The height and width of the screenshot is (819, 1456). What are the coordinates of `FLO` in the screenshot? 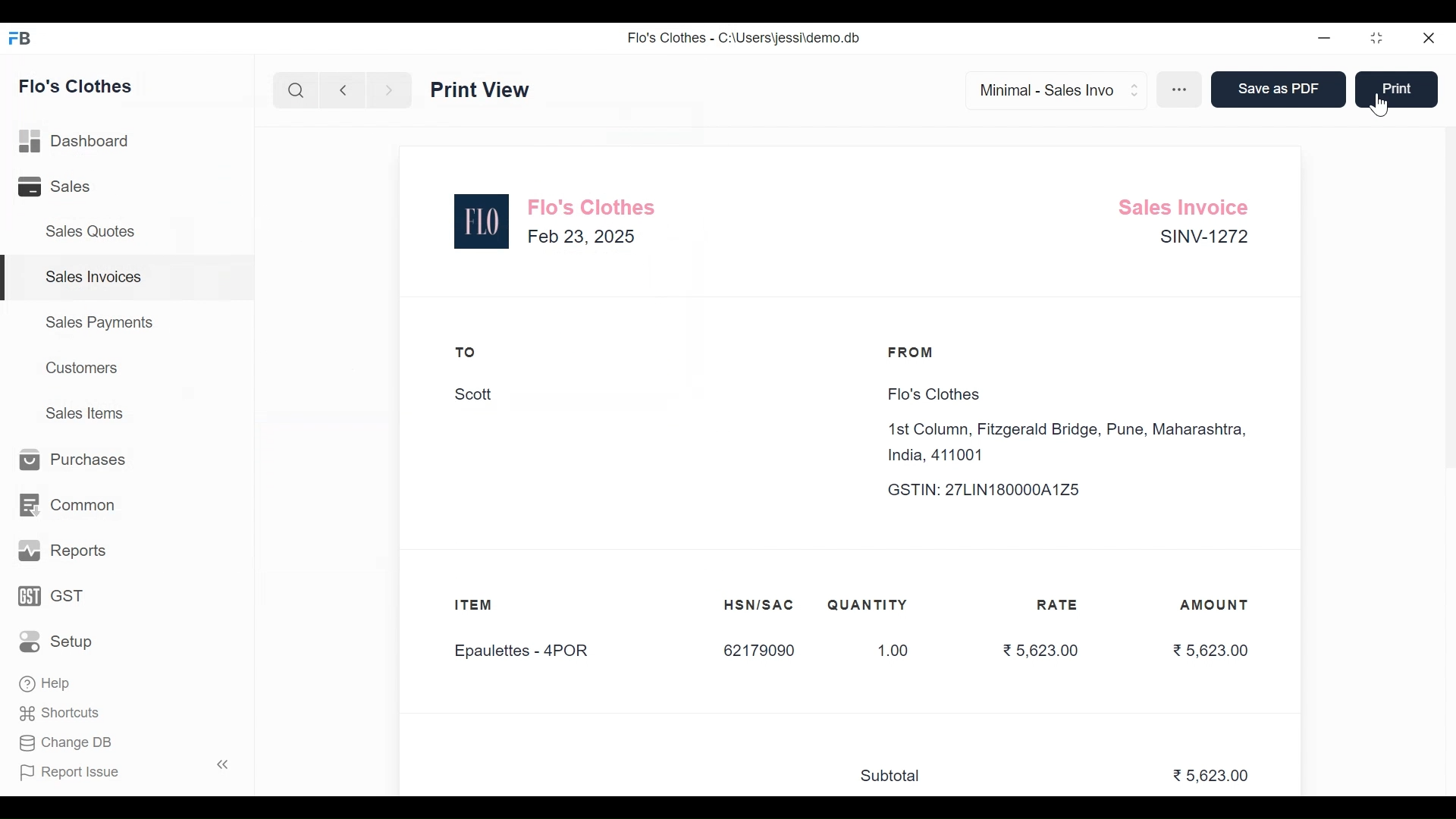 It's located at (482, 221).